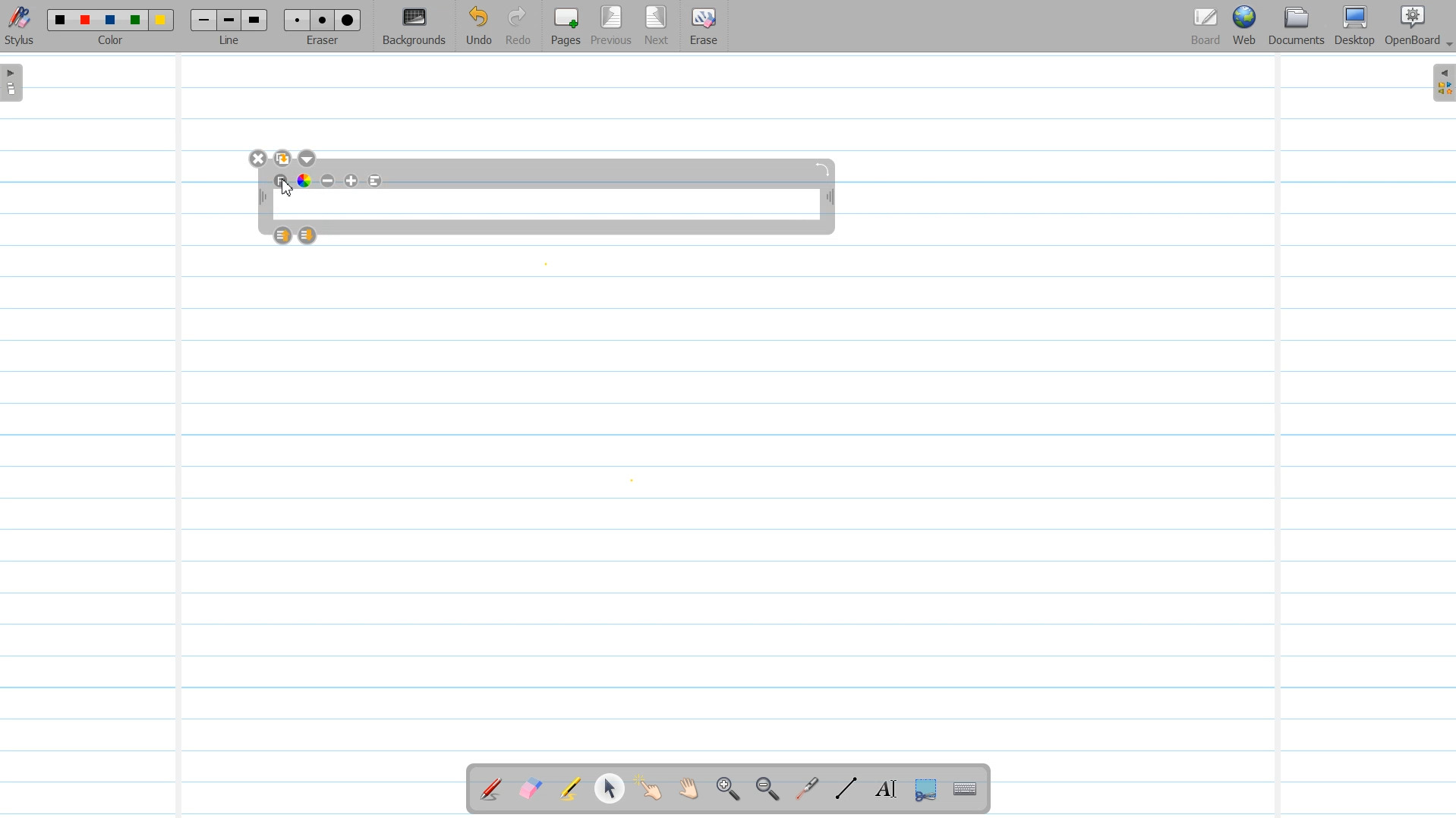  Describe the element at coordinates (764, 790) in the screenshot. I see `Zoom Out` at that location.